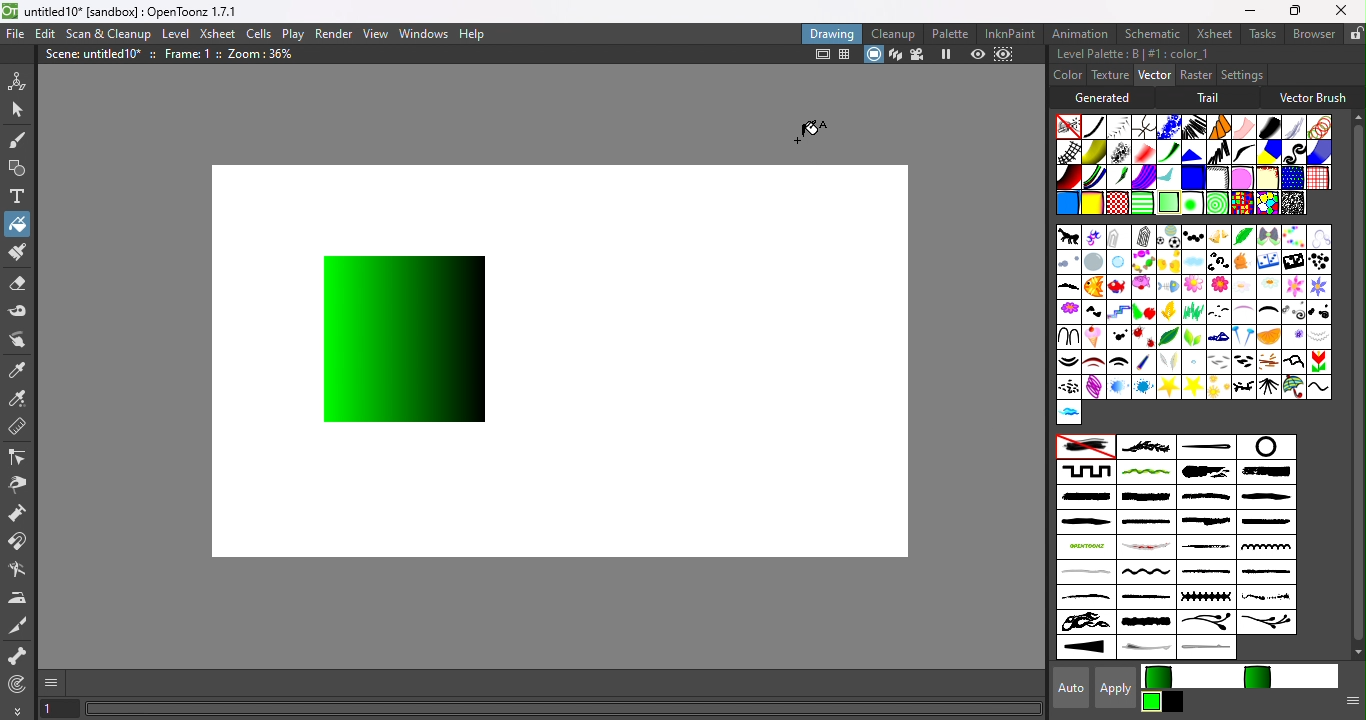 The height and width of the screenshot is (720, 1366). What do you see at coordinates (1294, 336) in the screenshot?
I see `Pansee` at bounding box center [1294, 336].